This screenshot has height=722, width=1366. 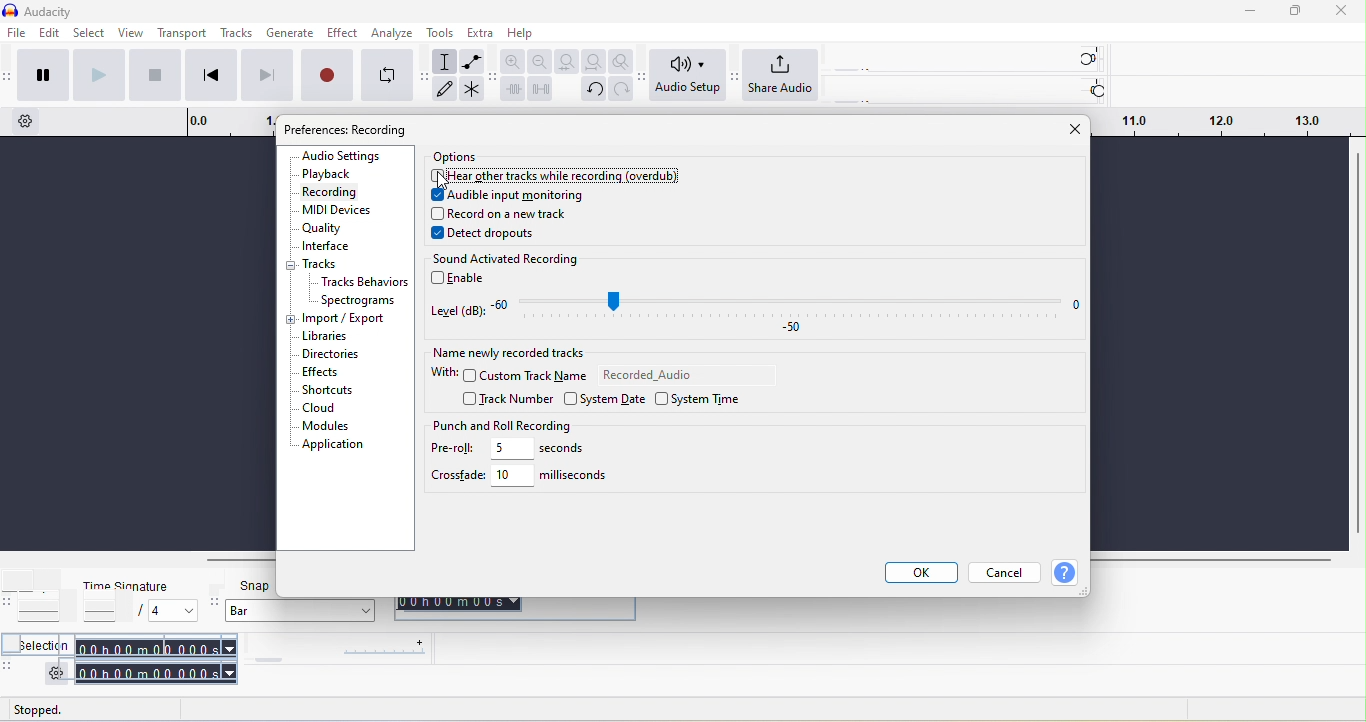 I want to click on crossfade, so click(x=456, y=475).